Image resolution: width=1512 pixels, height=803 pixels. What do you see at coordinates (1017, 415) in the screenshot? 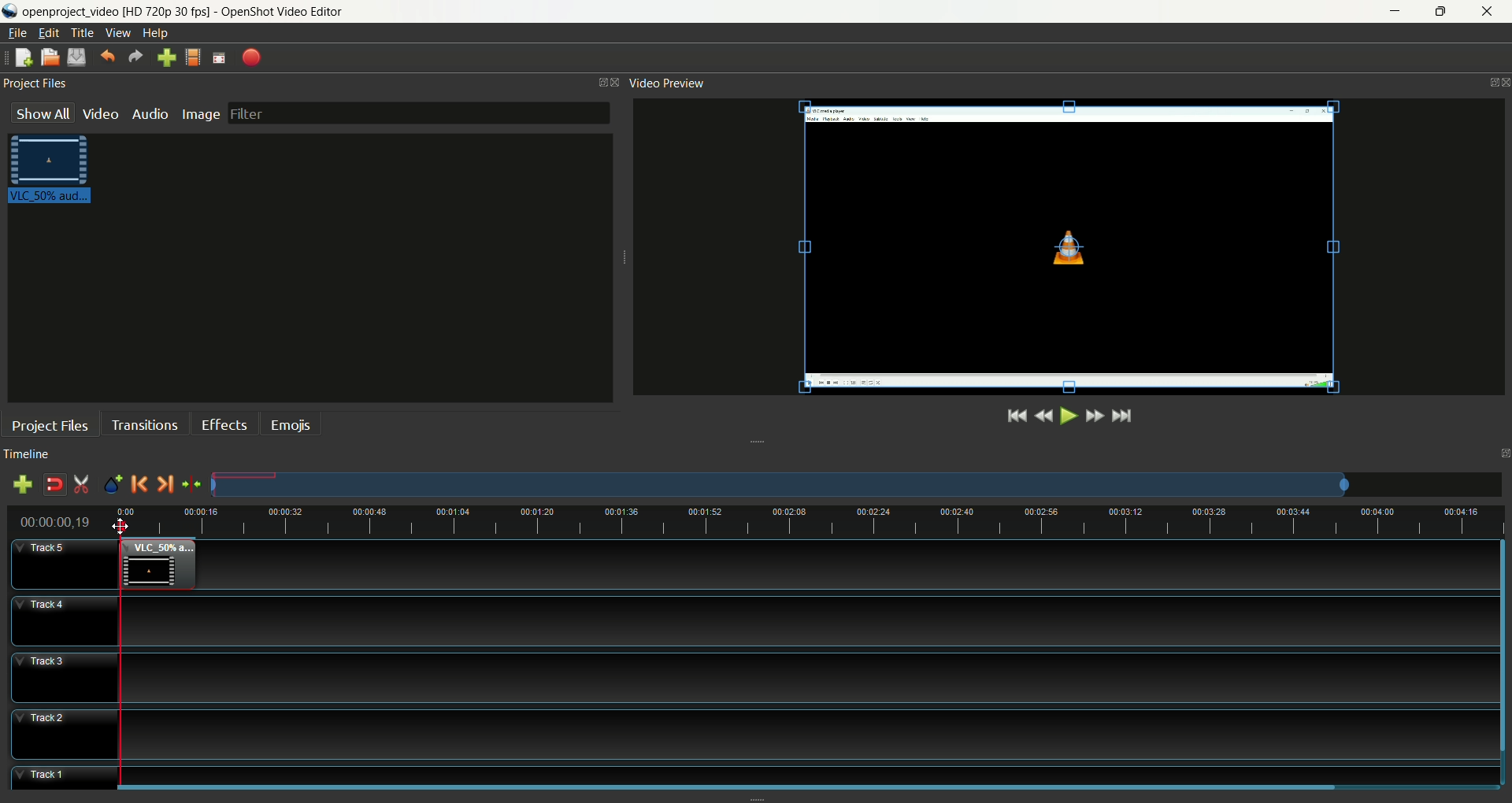
I see `jump to the start` at bounding box center [1017, 415].